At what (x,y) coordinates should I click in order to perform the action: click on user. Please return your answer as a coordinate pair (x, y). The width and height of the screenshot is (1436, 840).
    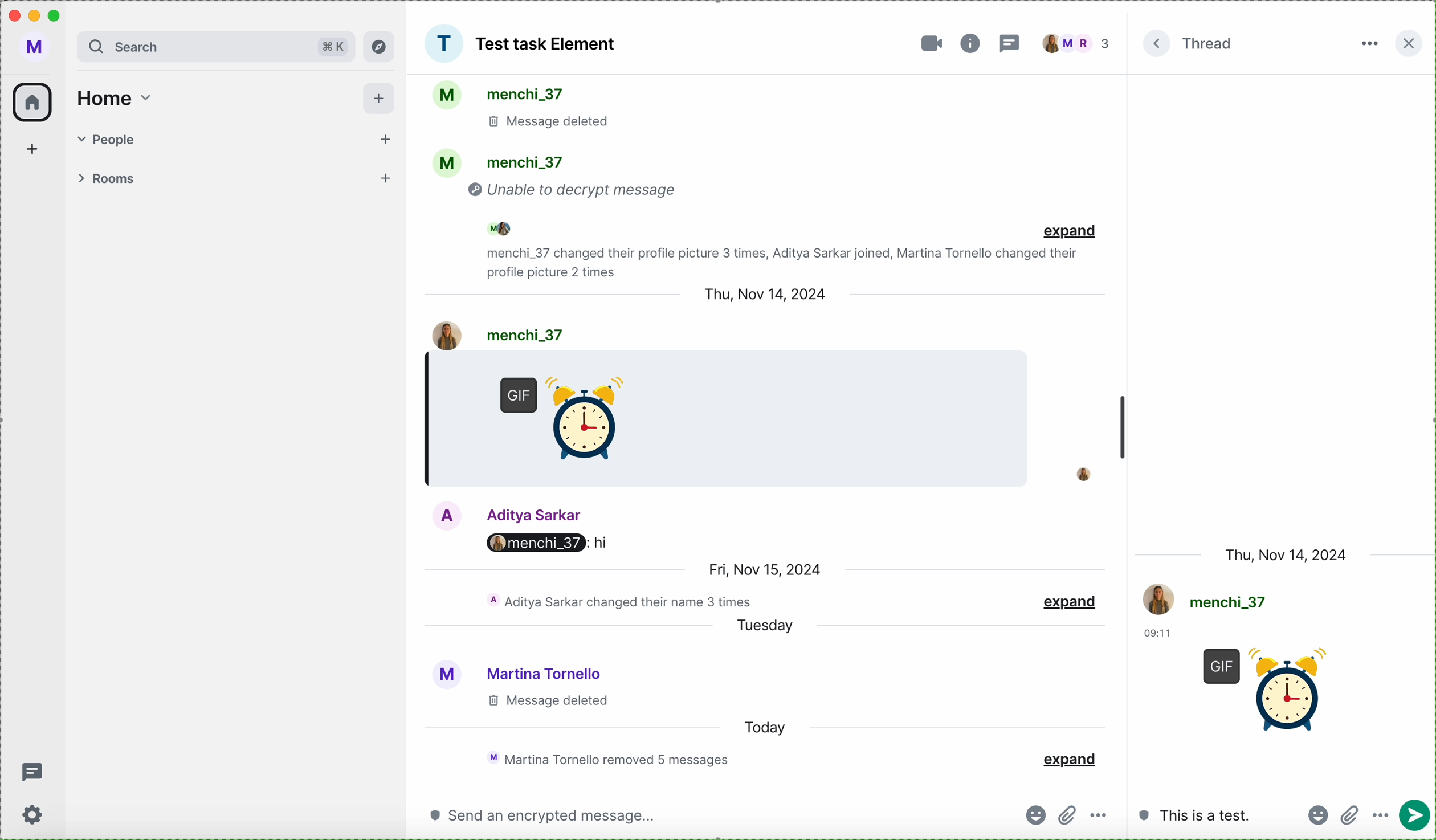
    Looking at the image, I should click on (1209, 600).